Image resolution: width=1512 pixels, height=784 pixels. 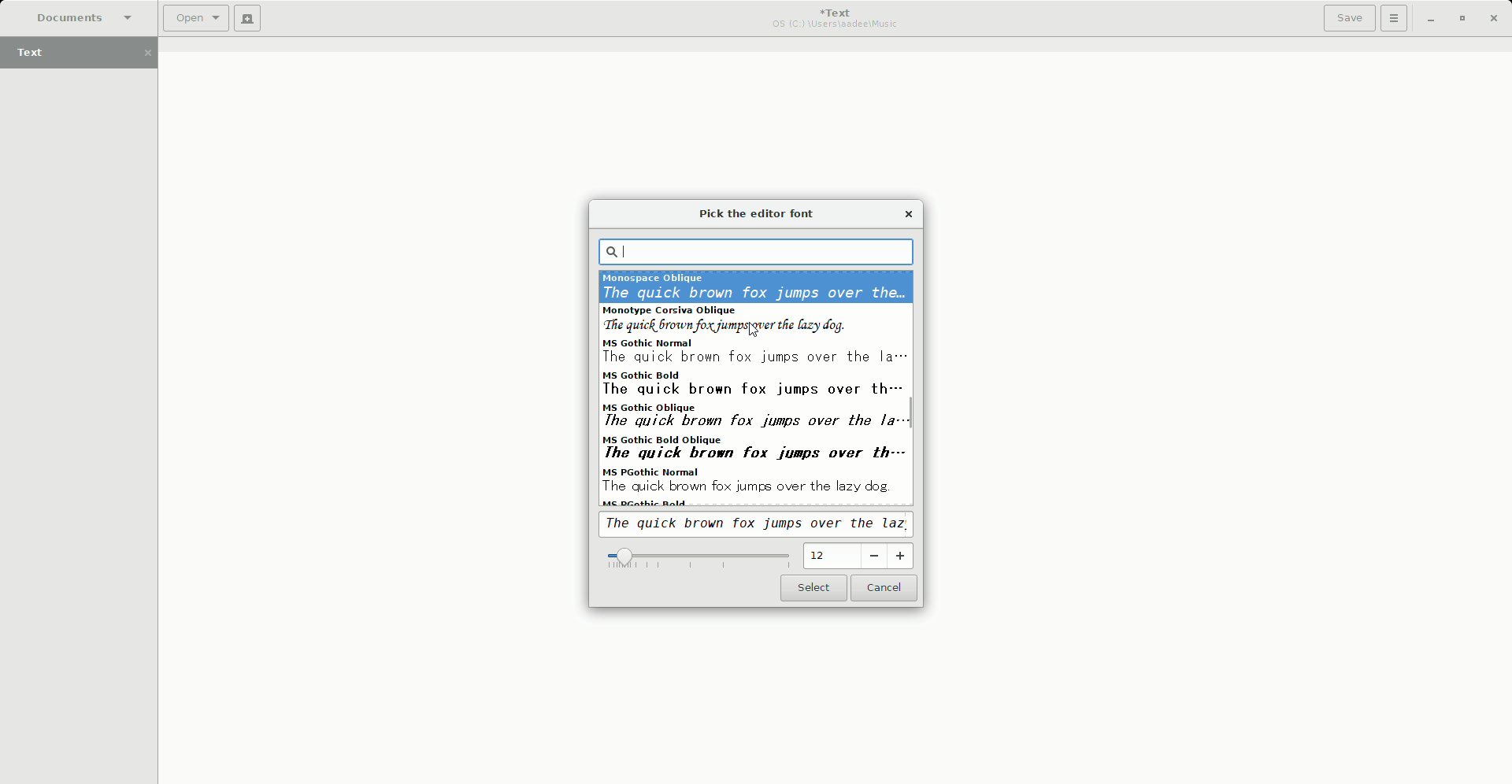 I want to click on Text, so click(x=838, y=18).